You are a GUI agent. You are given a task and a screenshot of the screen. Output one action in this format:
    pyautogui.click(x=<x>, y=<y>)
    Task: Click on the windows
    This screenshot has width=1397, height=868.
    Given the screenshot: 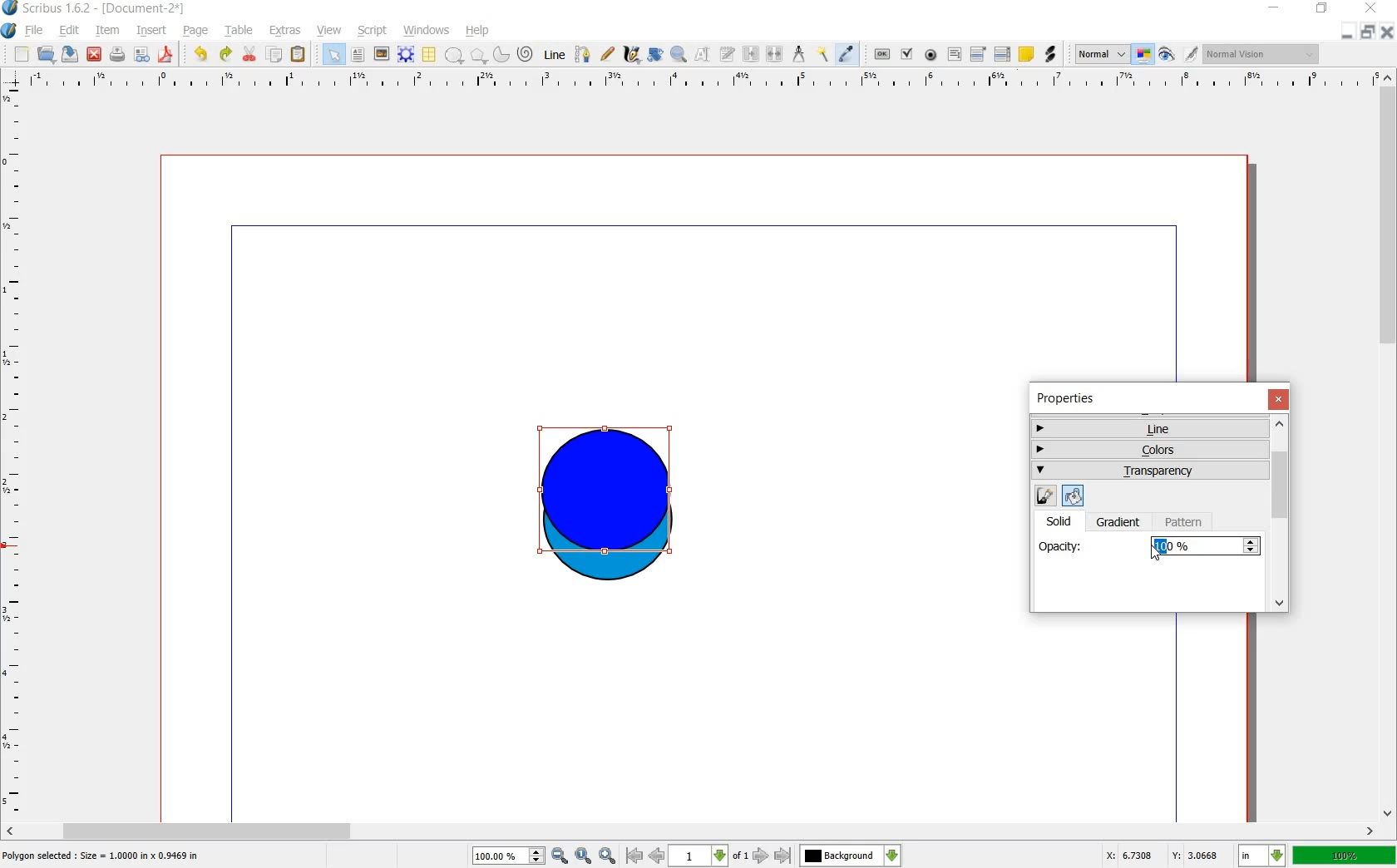 What is the action you would take?
    pyautogui.click(x=426, y=31)
    